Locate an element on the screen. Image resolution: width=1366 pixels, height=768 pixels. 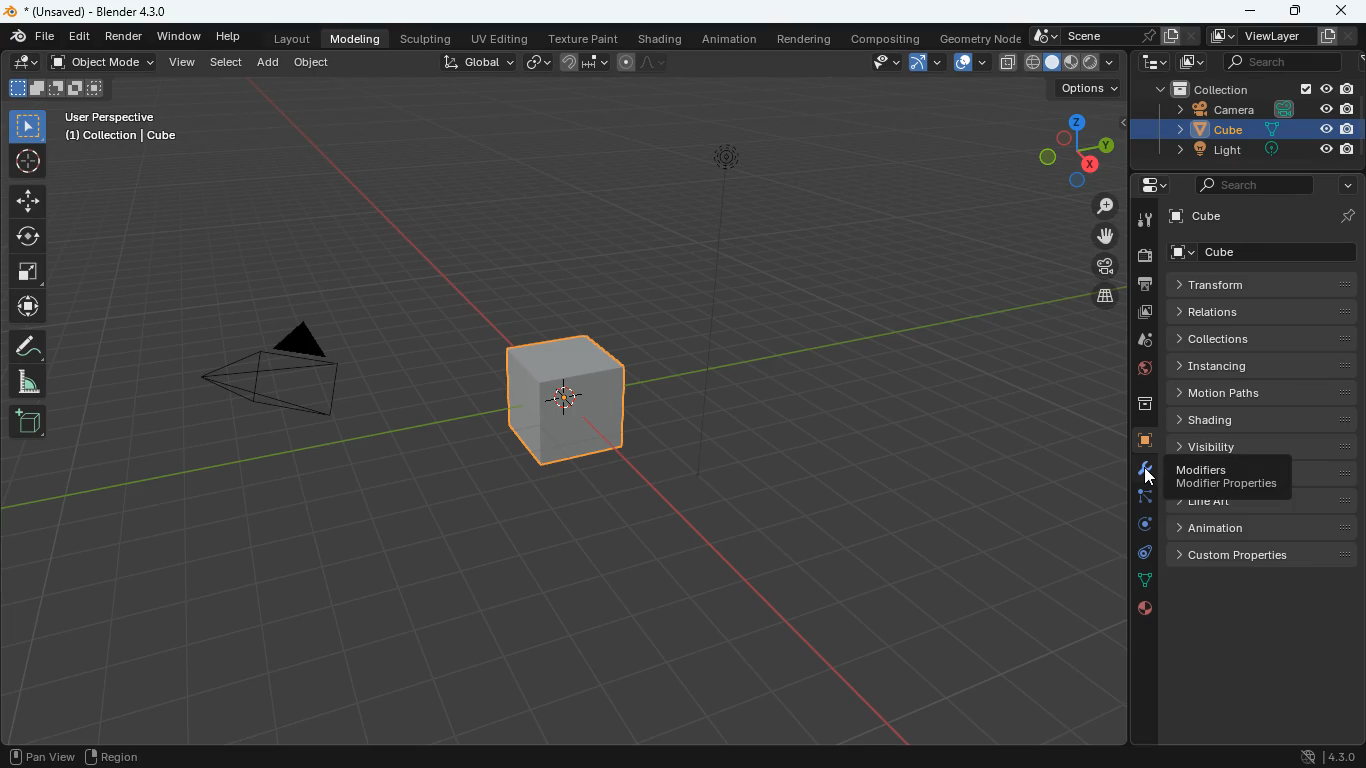
camera is located at coordinates (1251, 109).